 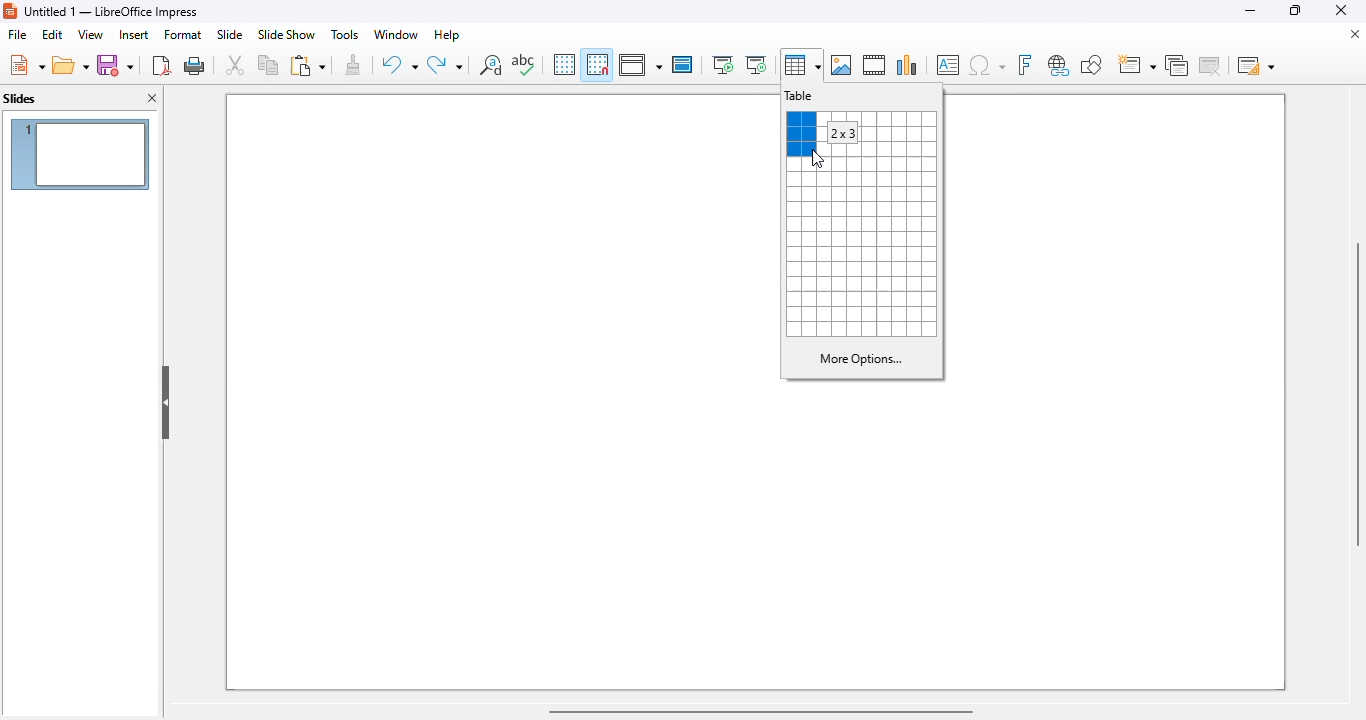 What do you see at coordinates (167, 401) in the screenshot?
I see `hide pane` at bounding box center [167, 401].